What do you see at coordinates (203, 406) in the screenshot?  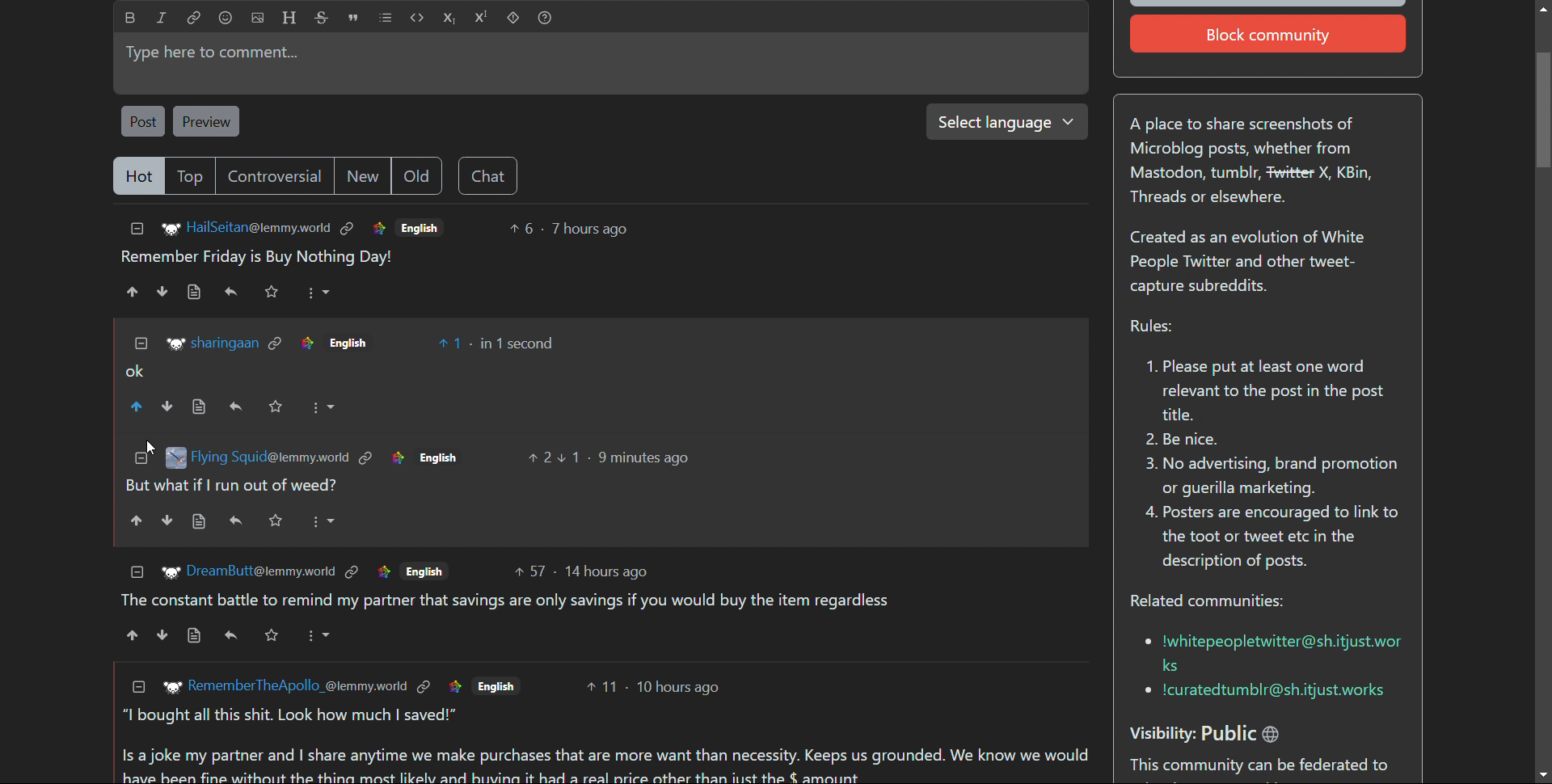 I see `view source` at bounding box center [203, 406].